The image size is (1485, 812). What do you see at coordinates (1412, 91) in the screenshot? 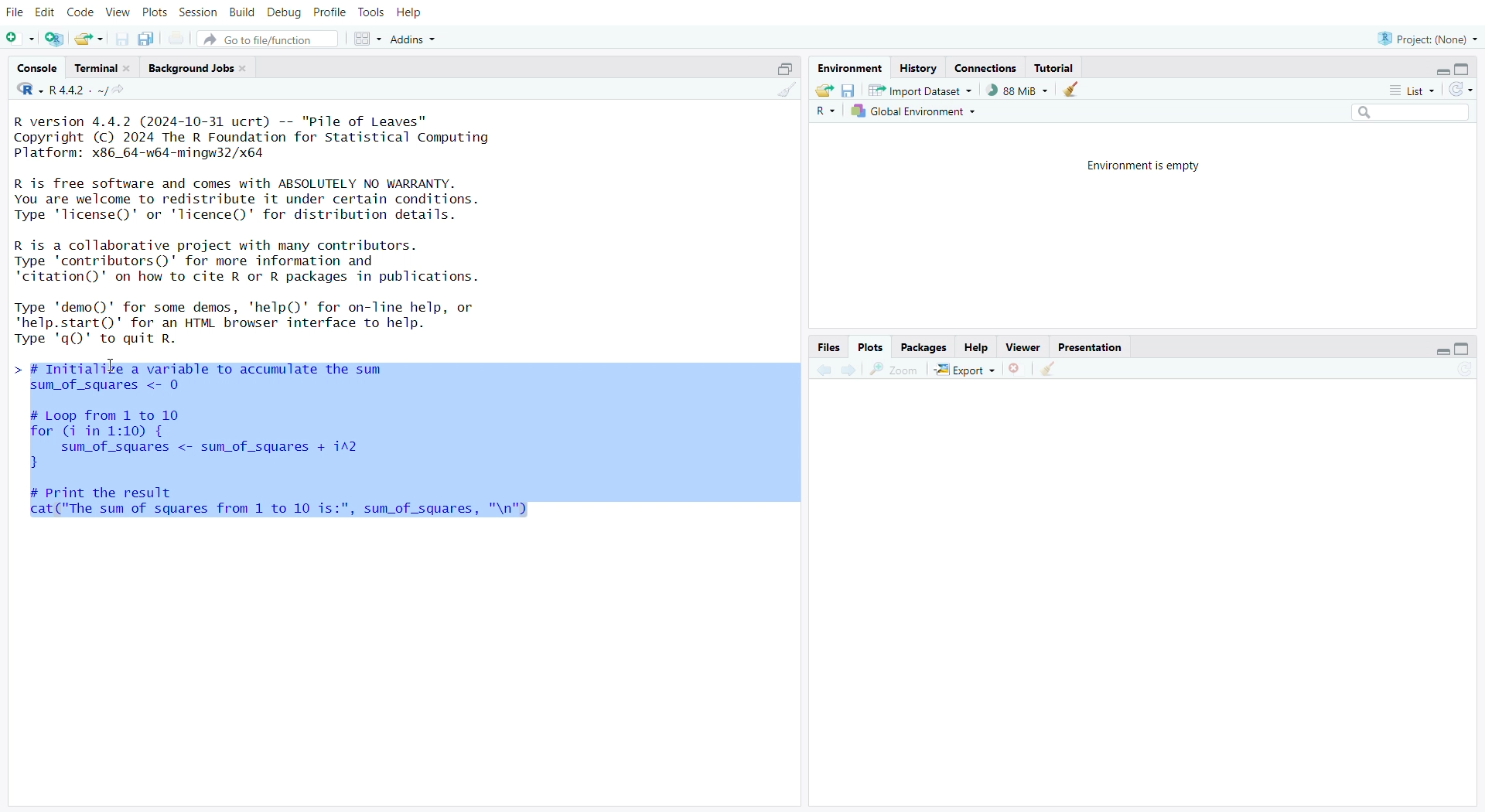
I see `list` at bounding box center [1412, 91].